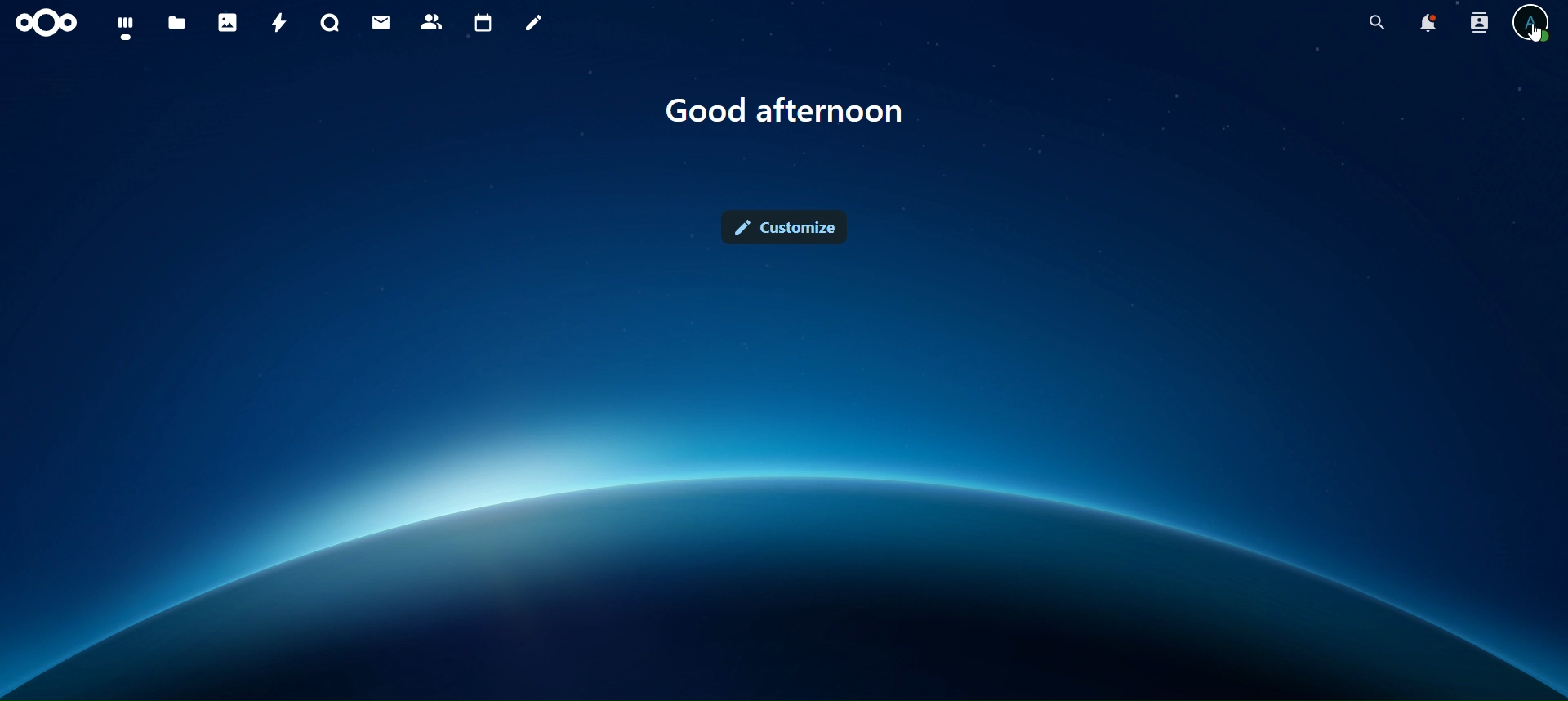 This screenshot has width=1568, height=701. I want to click on files, so click(176, 25).